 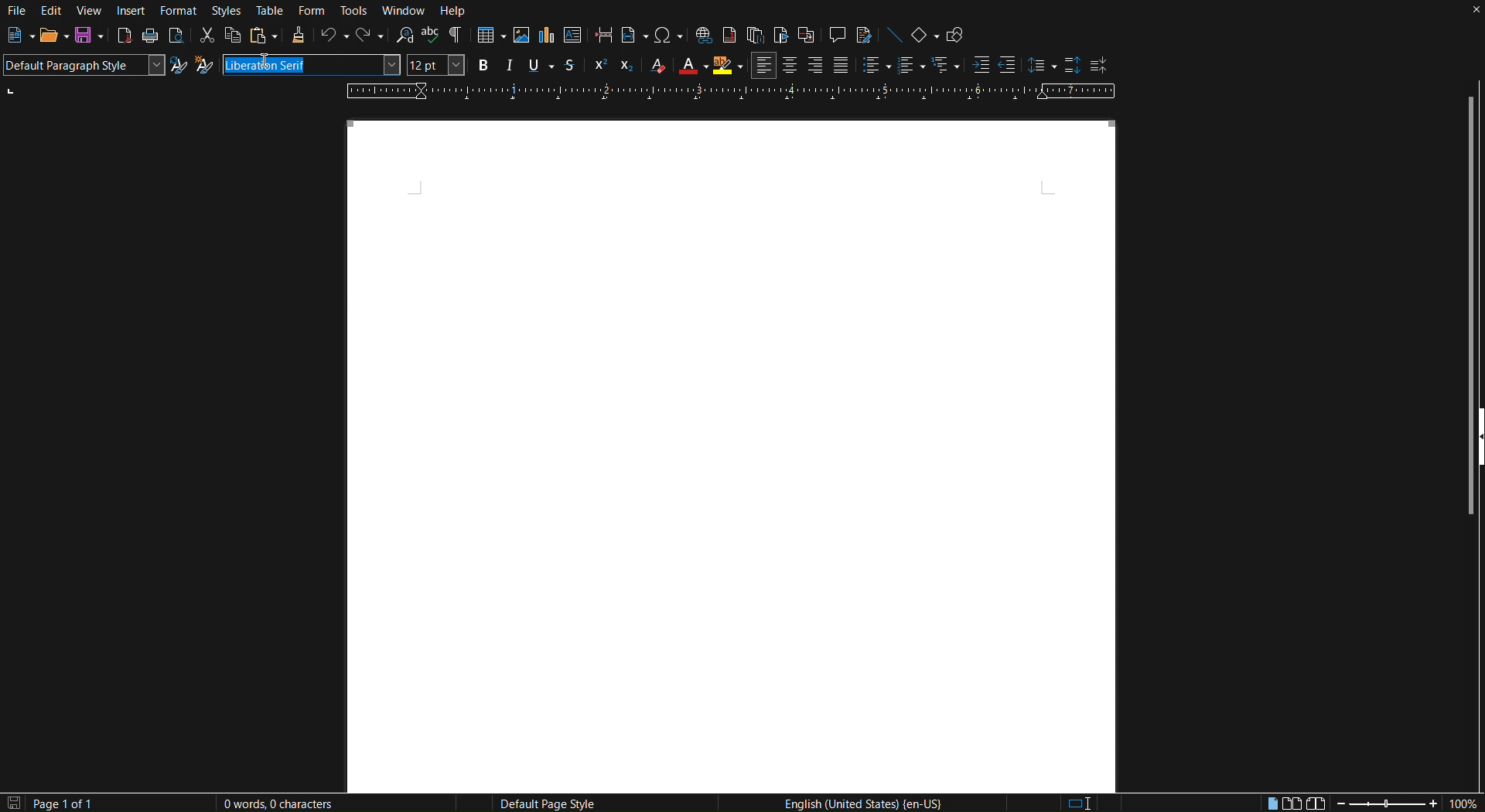 What do you see at coordinates (355, 11) in the screenshot?
I see `Tools` at bounding box center [355, 11].